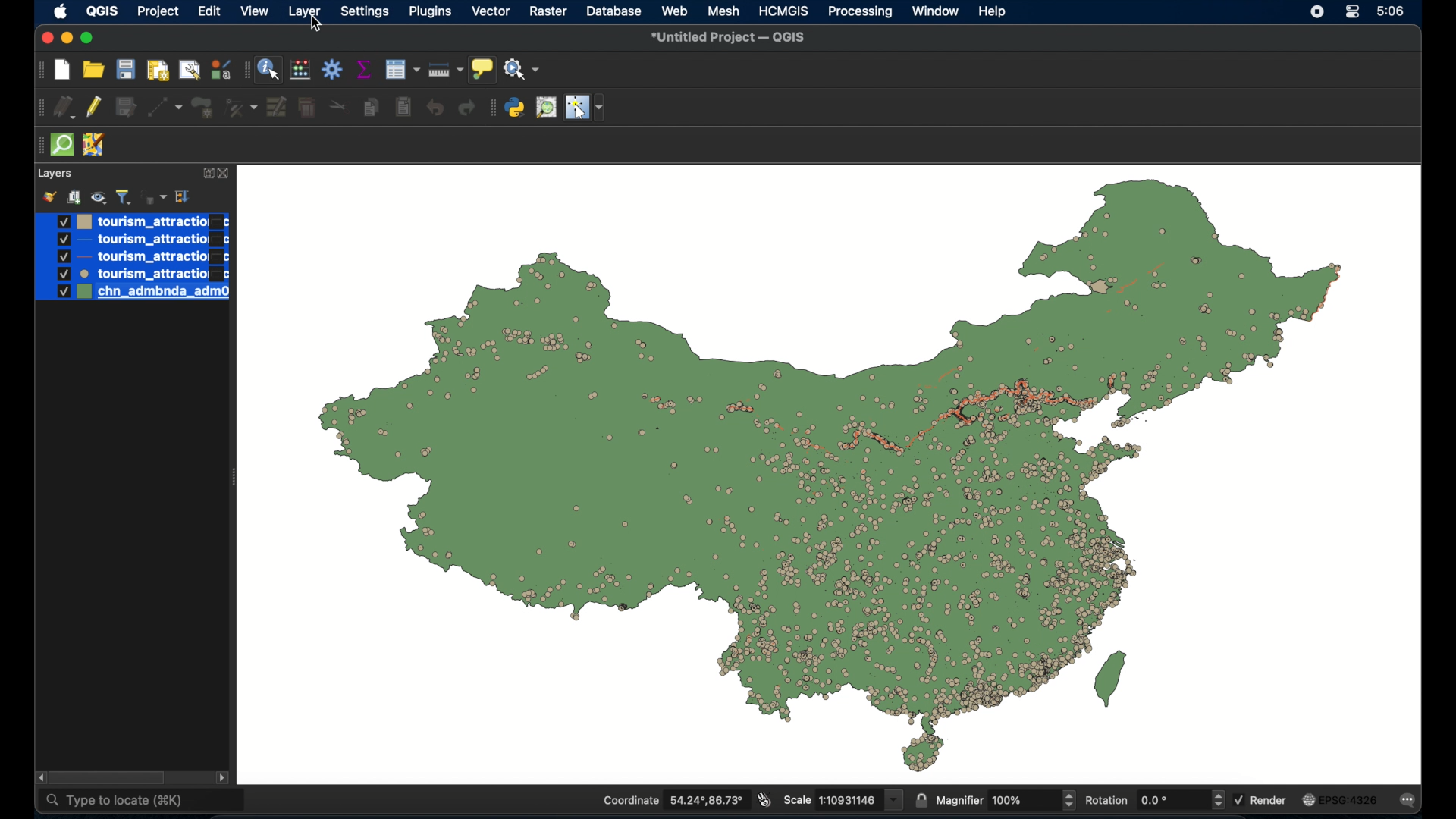  I want to click on modify attributes, so click(277, 107).